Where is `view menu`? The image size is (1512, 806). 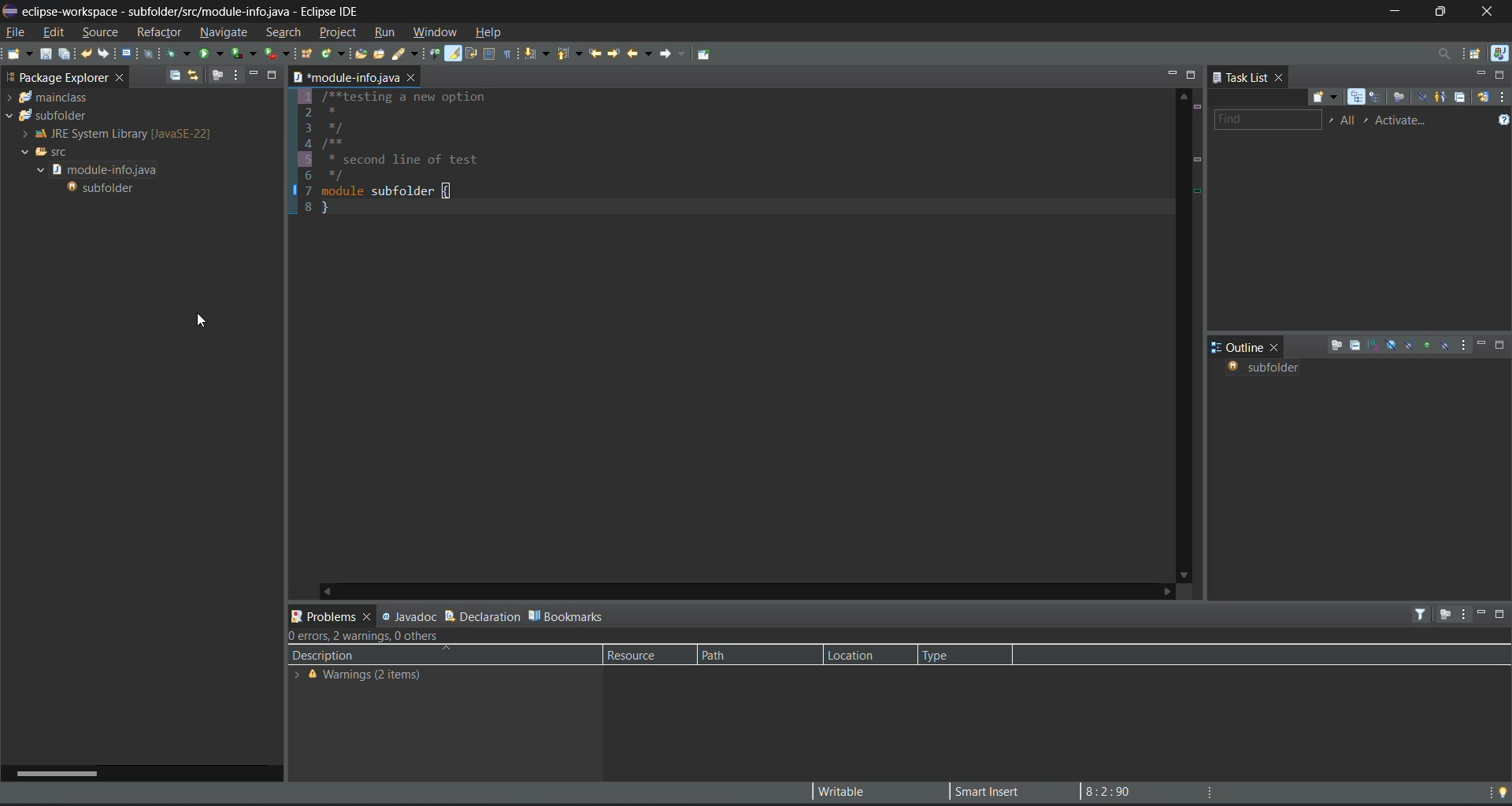 view menu is located at coordinates (1463, 615).